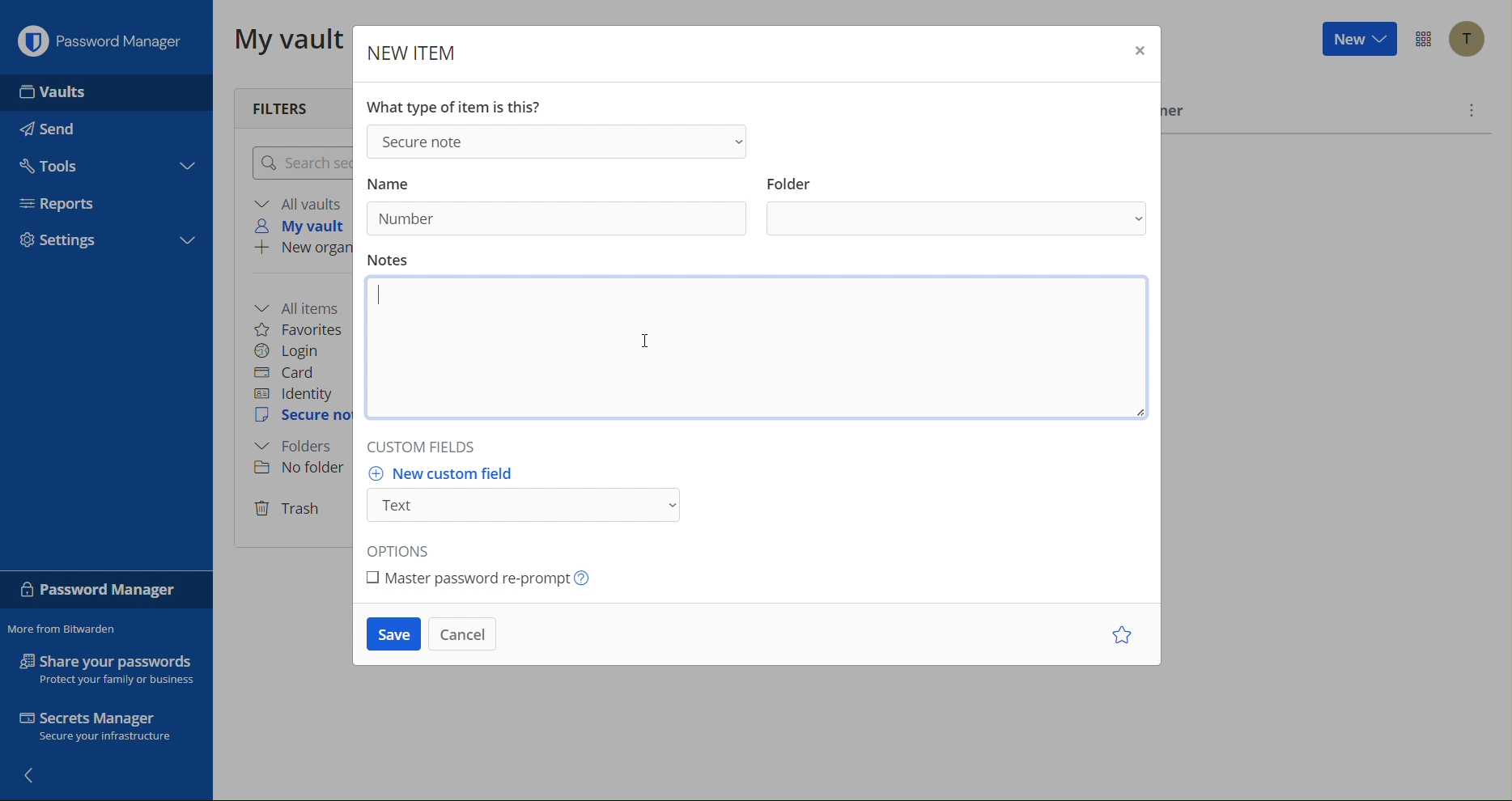 This screenshot has height=801, width=1512. What do you see at coordinates (293, 350) in the screenshot?
I see `Login` at bounding box center [293, 350].